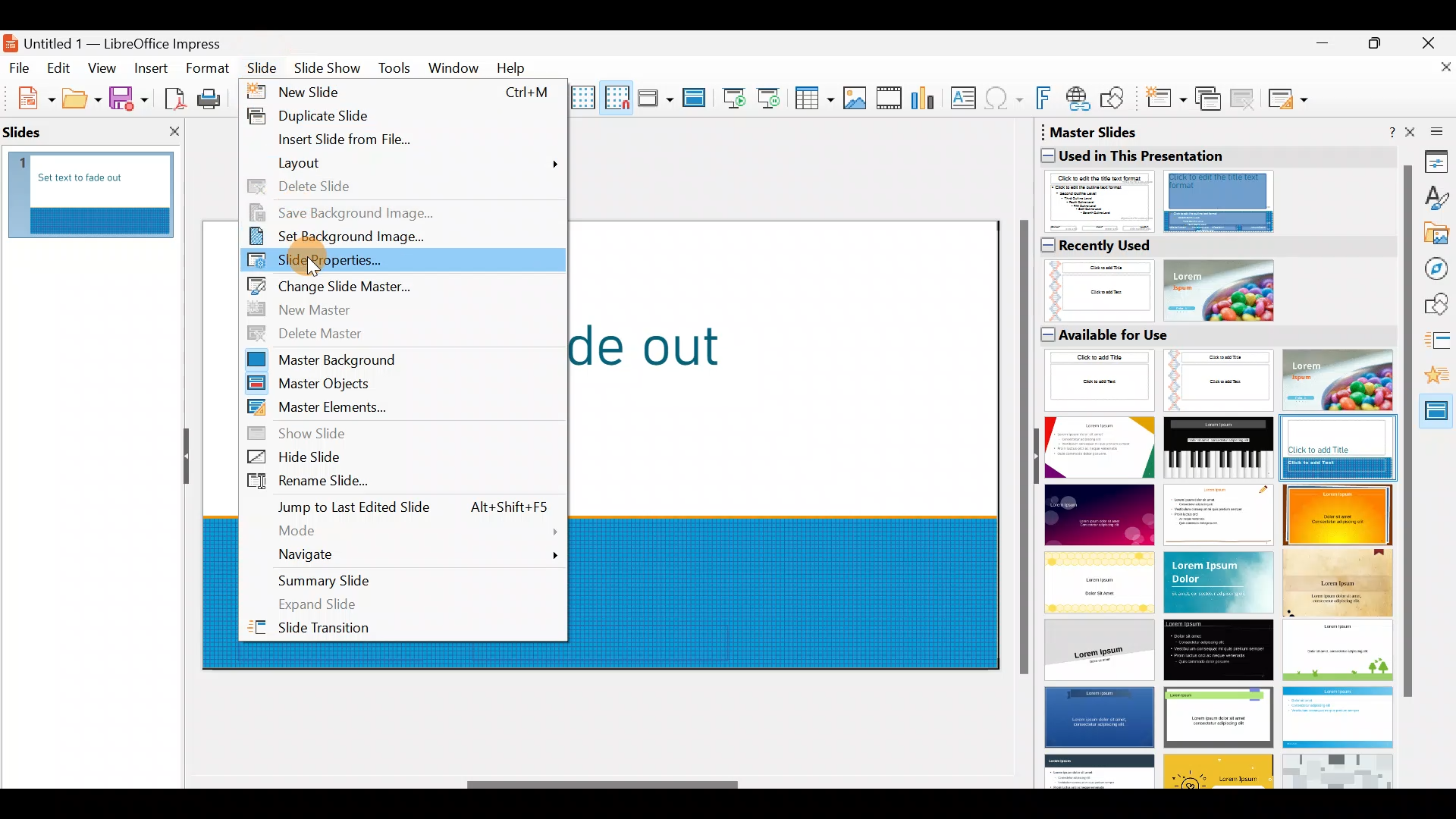 The height and width of the screenshot is (819, 1456). What do you see at coordinates (395, 407) in the screenshot?
I see `Master elements` at bounding box center [395, 407].